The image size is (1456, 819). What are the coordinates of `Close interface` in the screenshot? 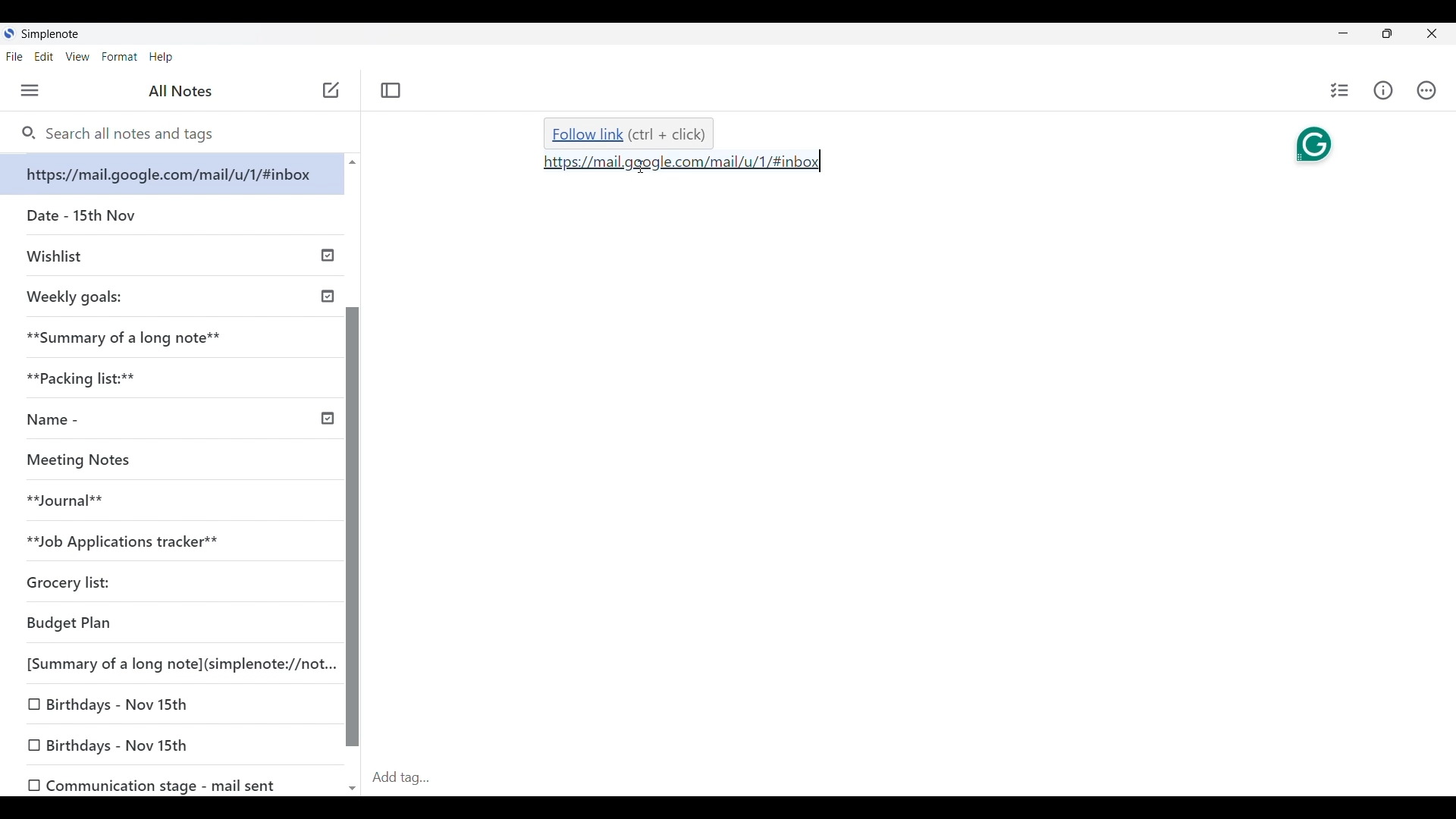 It's located at (1432, 33).